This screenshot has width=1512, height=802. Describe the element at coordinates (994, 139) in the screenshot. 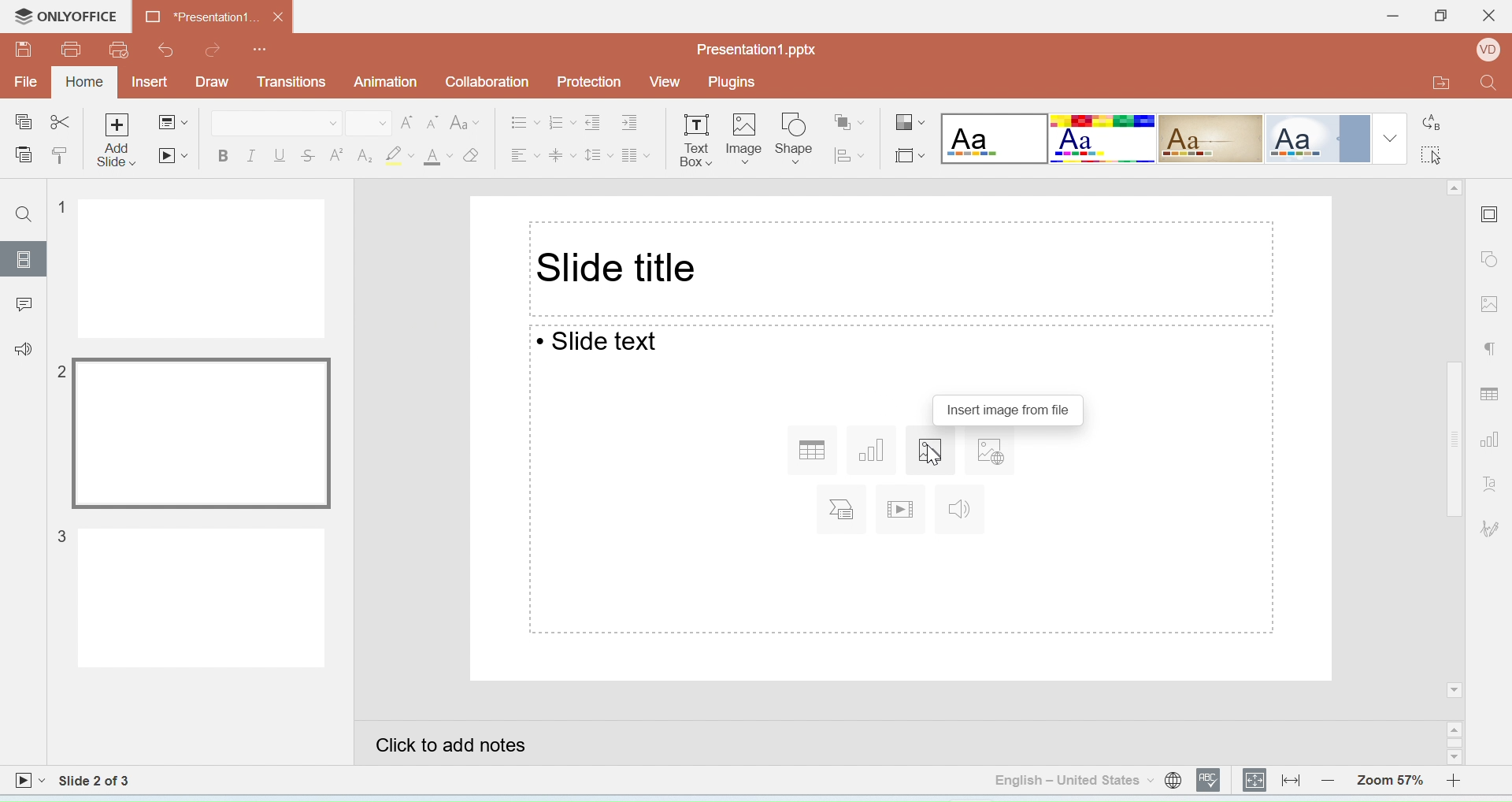

I see `Blank` at that location.